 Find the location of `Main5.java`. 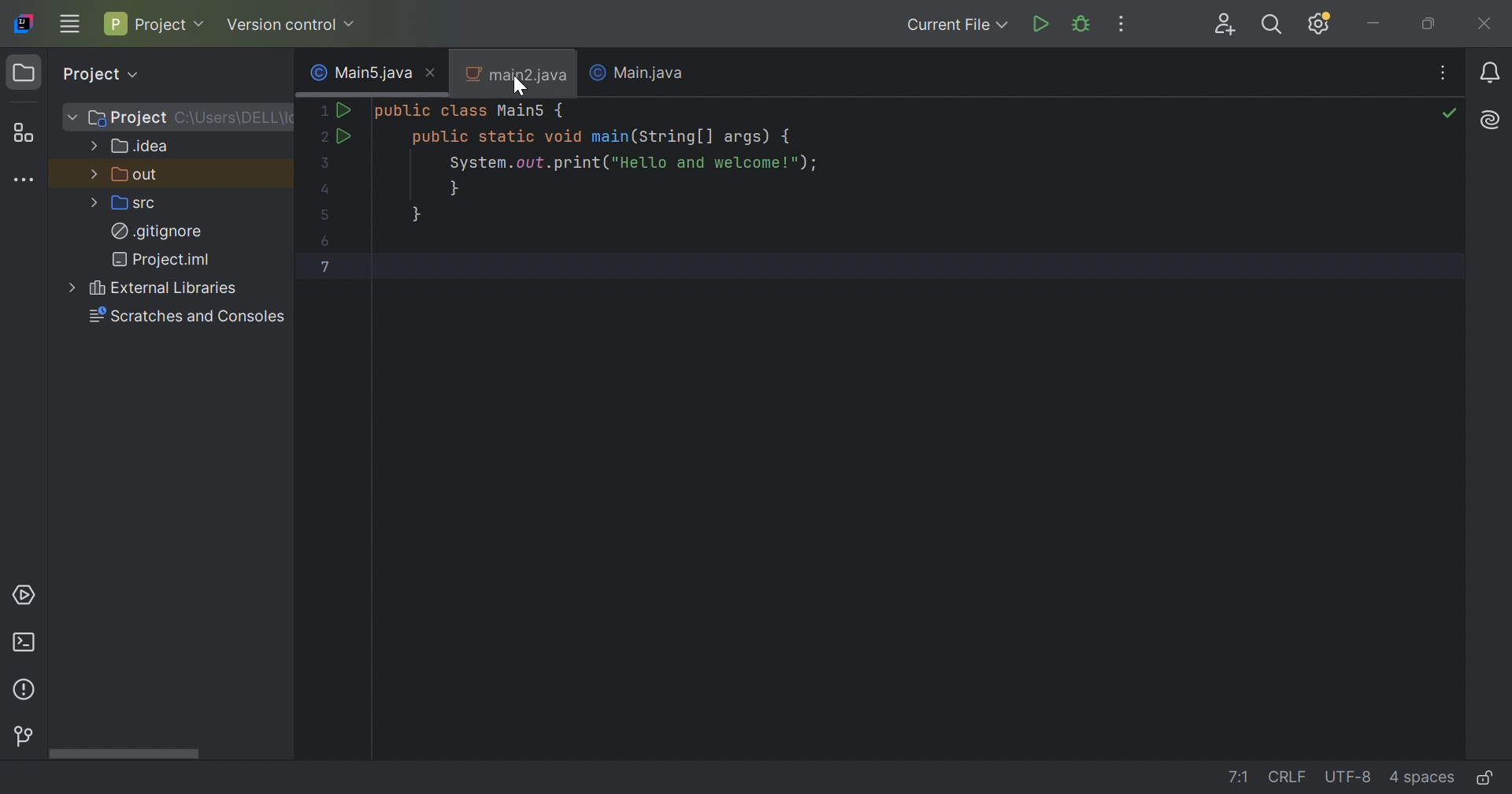

Main5.java is located at coordinates (357, 72).